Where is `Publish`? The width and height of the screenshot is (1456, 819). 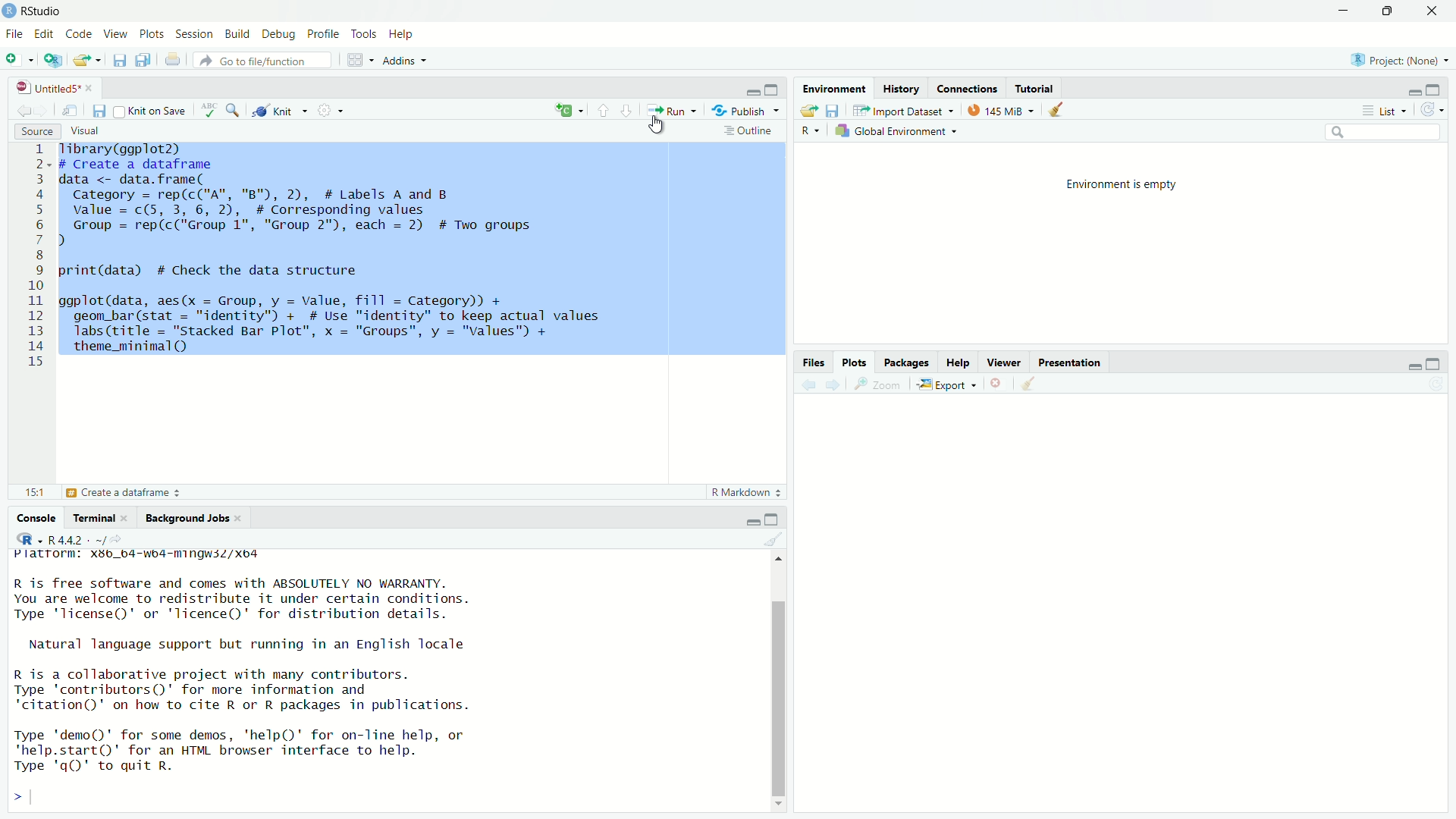
Publish is located at coordinates (745, 108).